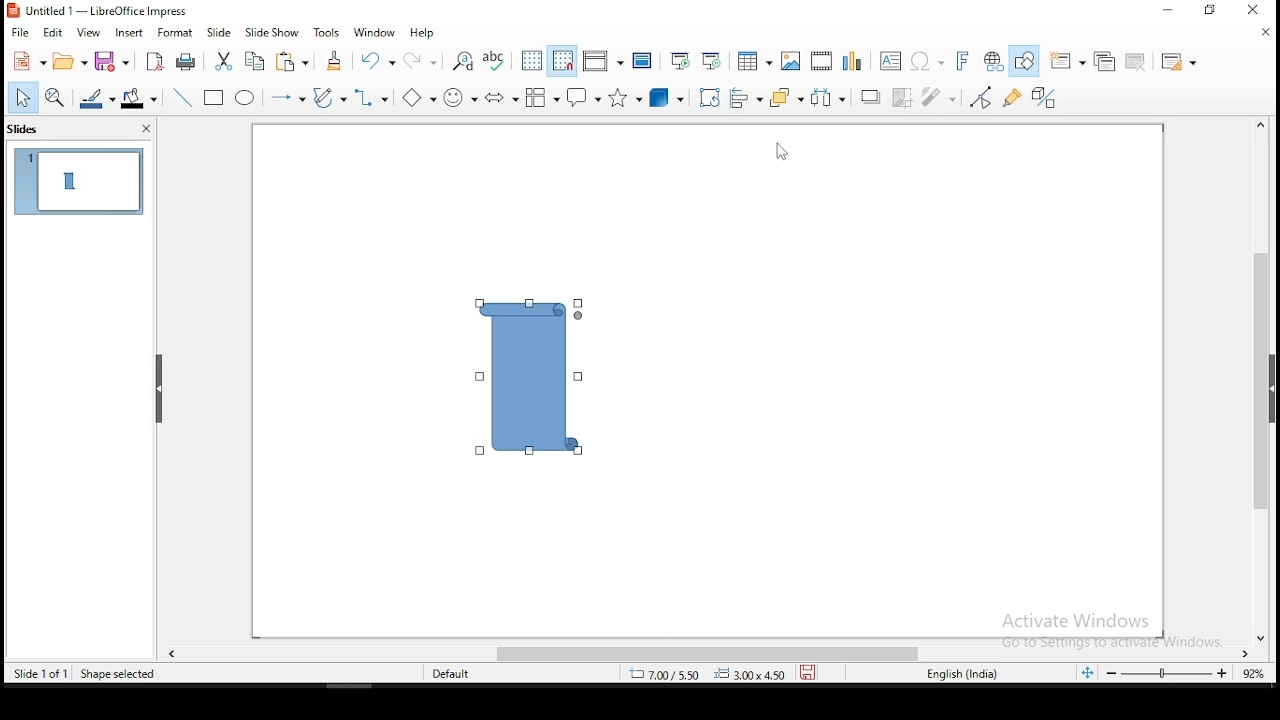  Describe the element at coordinates (82, 182) in the screenshot. I see `slide 1` at that location.